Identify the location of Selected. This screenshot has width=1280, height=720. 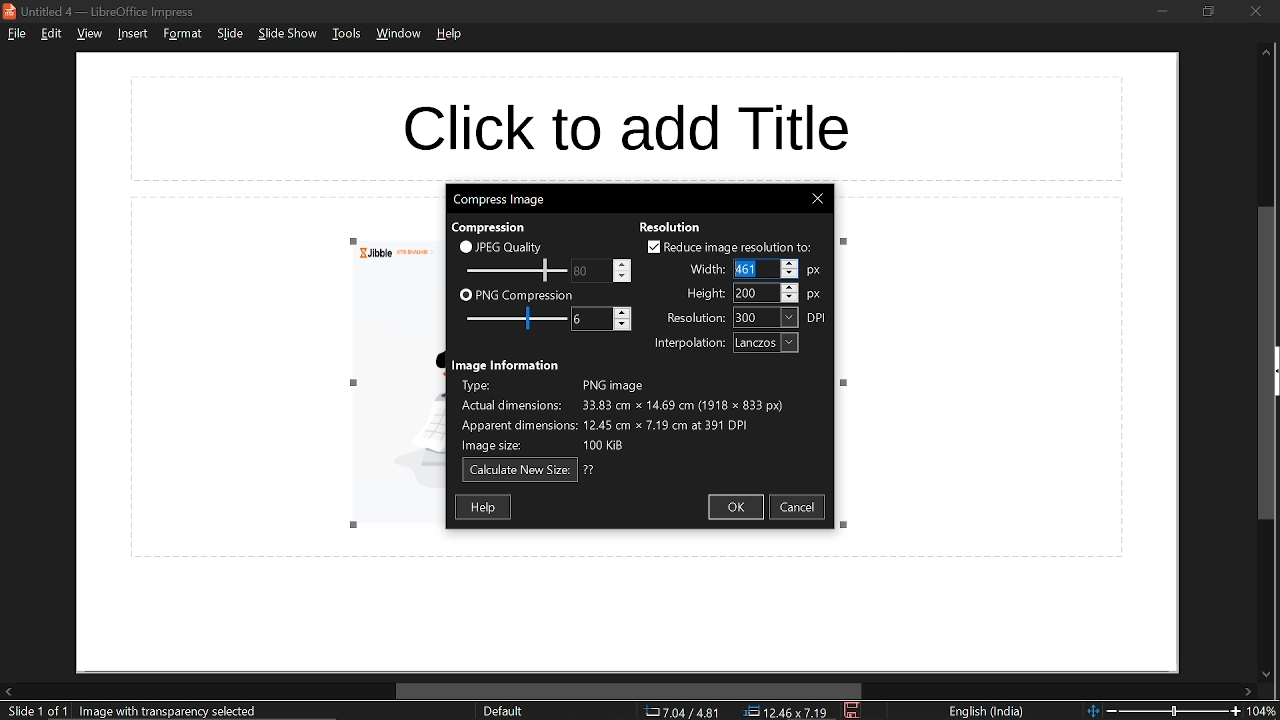
(746, 268).